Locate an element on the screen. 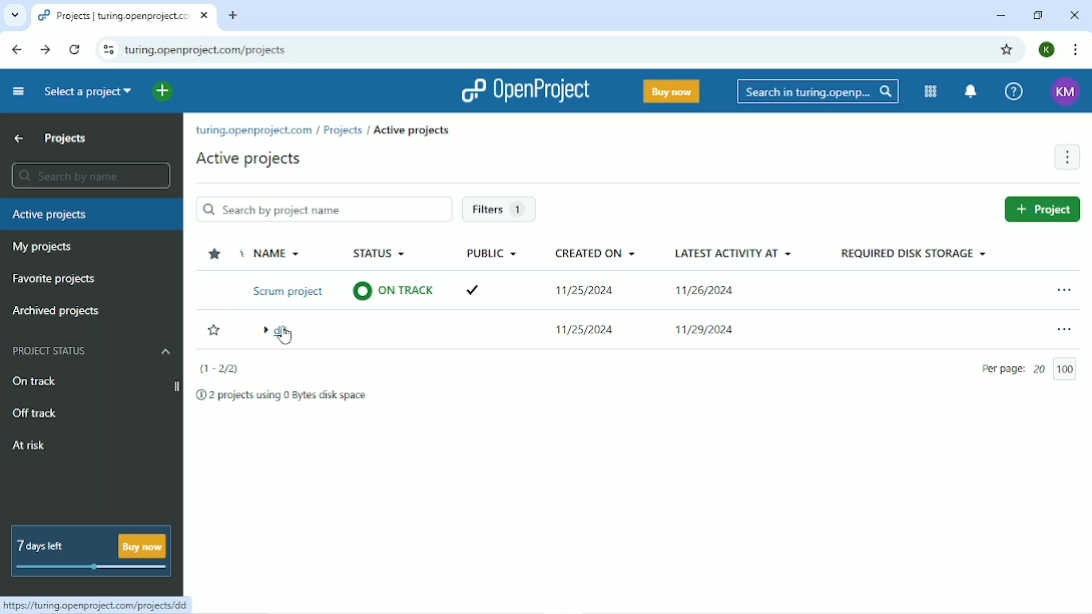 This screenshot has width=1092, height=614. Minimize is located at coordinates (1001, 16).